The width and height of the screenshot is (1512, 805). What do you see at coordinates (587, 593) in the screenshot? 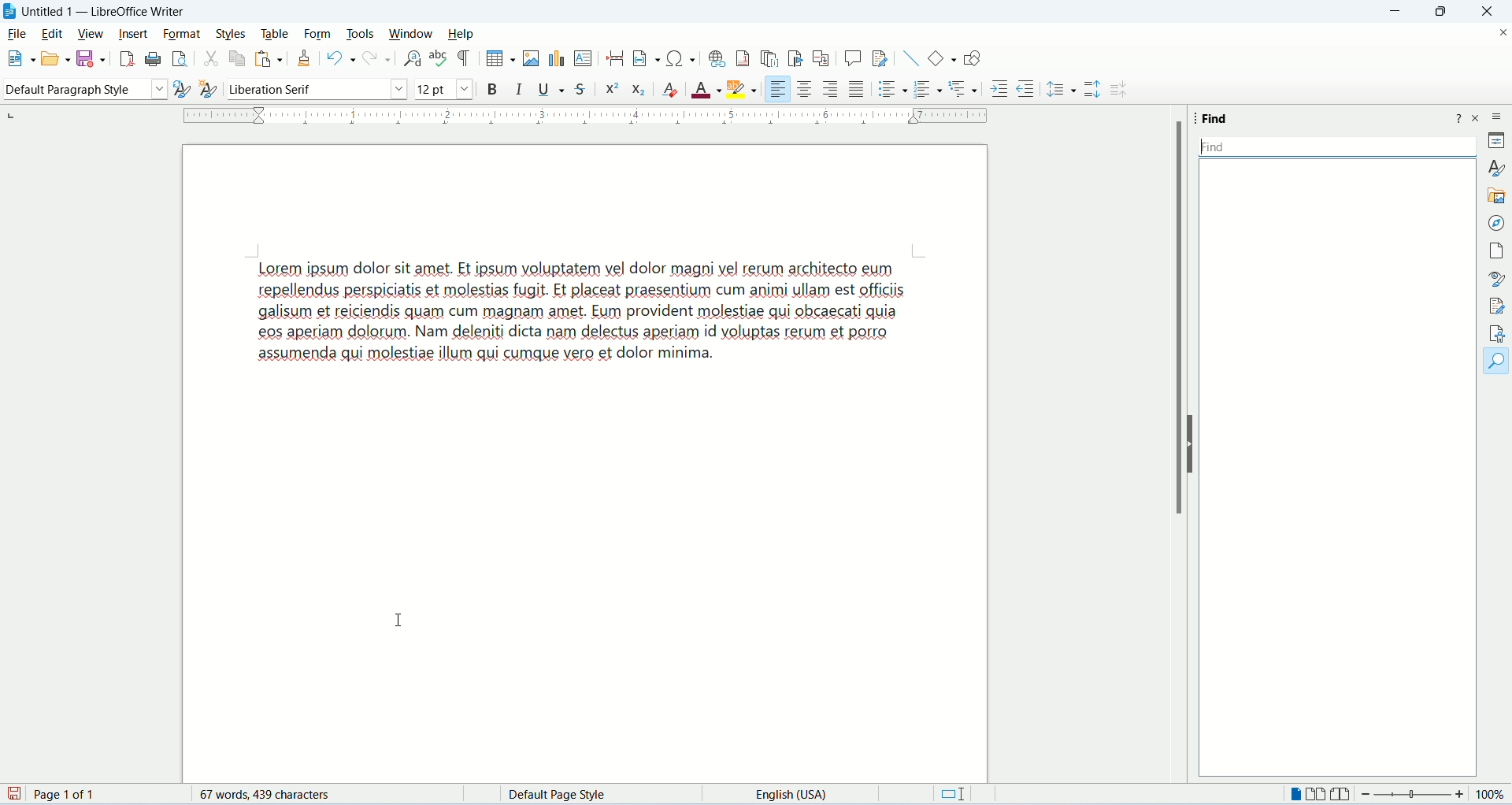
I see `page` at bounding box center [587, 593].